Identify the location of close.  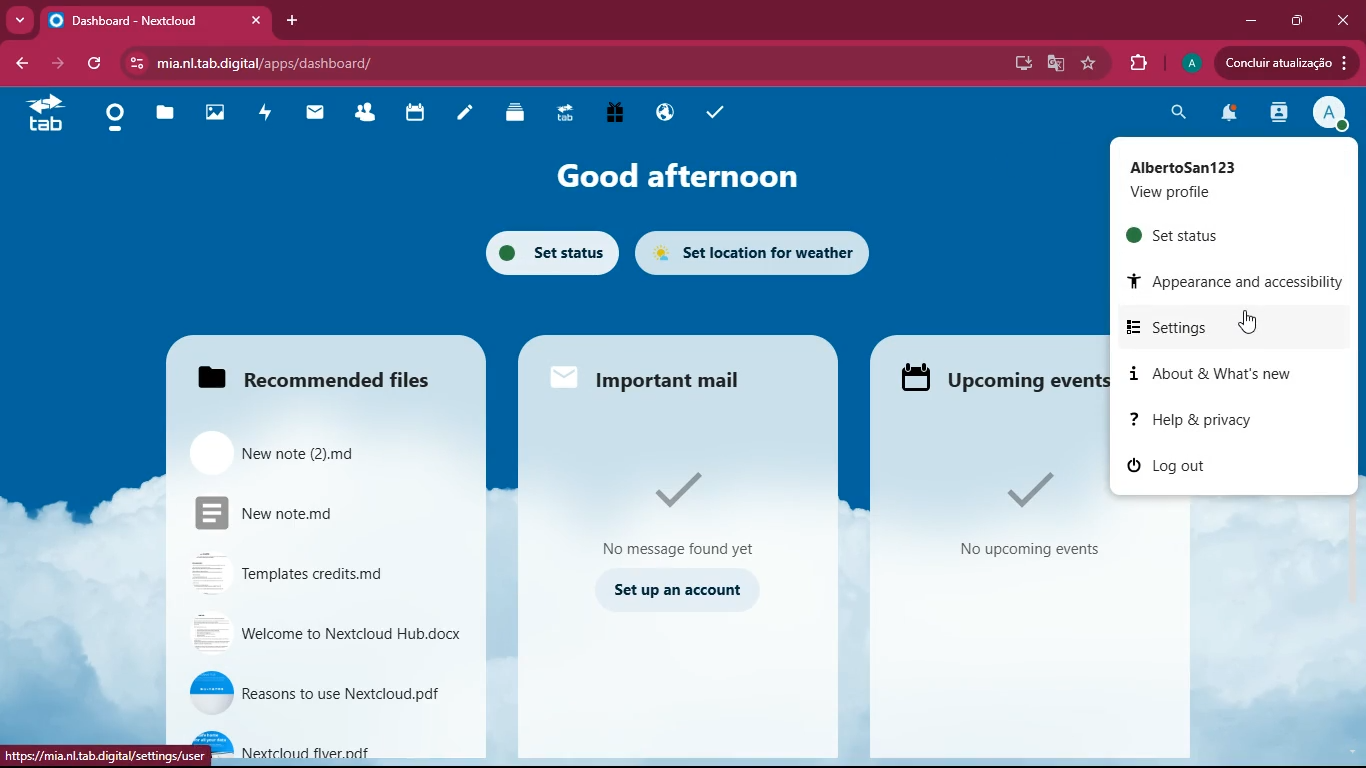
(1346, 18).